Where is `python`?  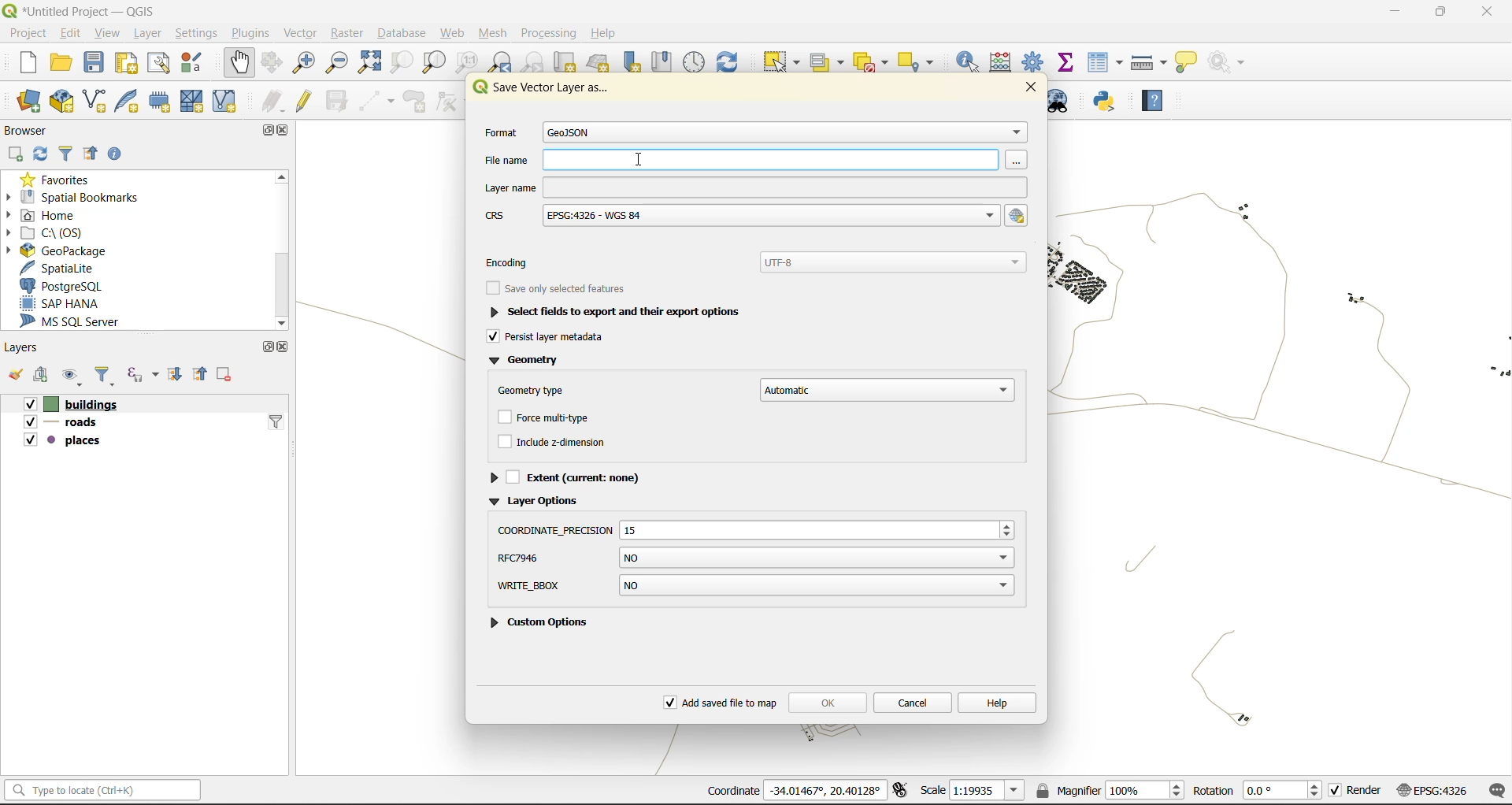 python is located at coordinates (1109, 101).